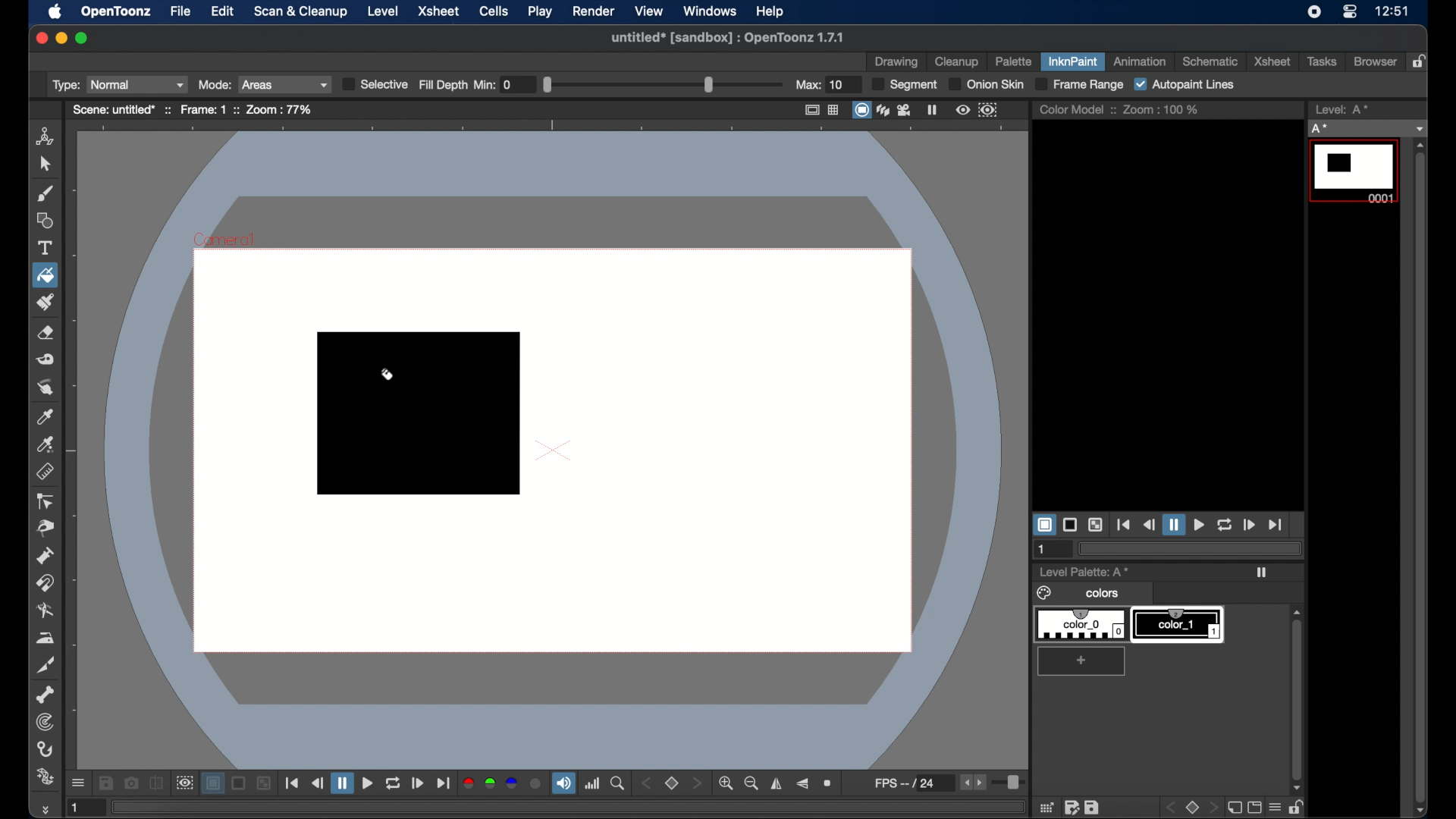 Image resolution: width=1456 pixels, height=819 pixels. Describe the element at coordinates (1070, 524) in the screenshot. I see `black background` at that location.